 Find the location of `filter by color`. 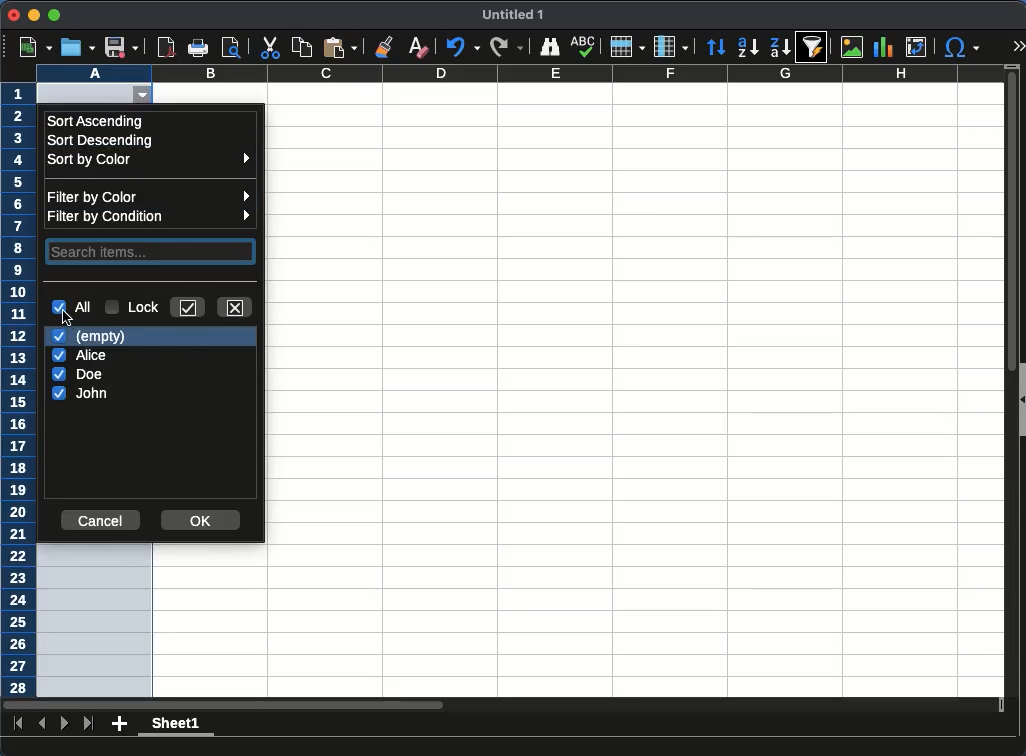

filter by color is located at coordinates (149, 196).